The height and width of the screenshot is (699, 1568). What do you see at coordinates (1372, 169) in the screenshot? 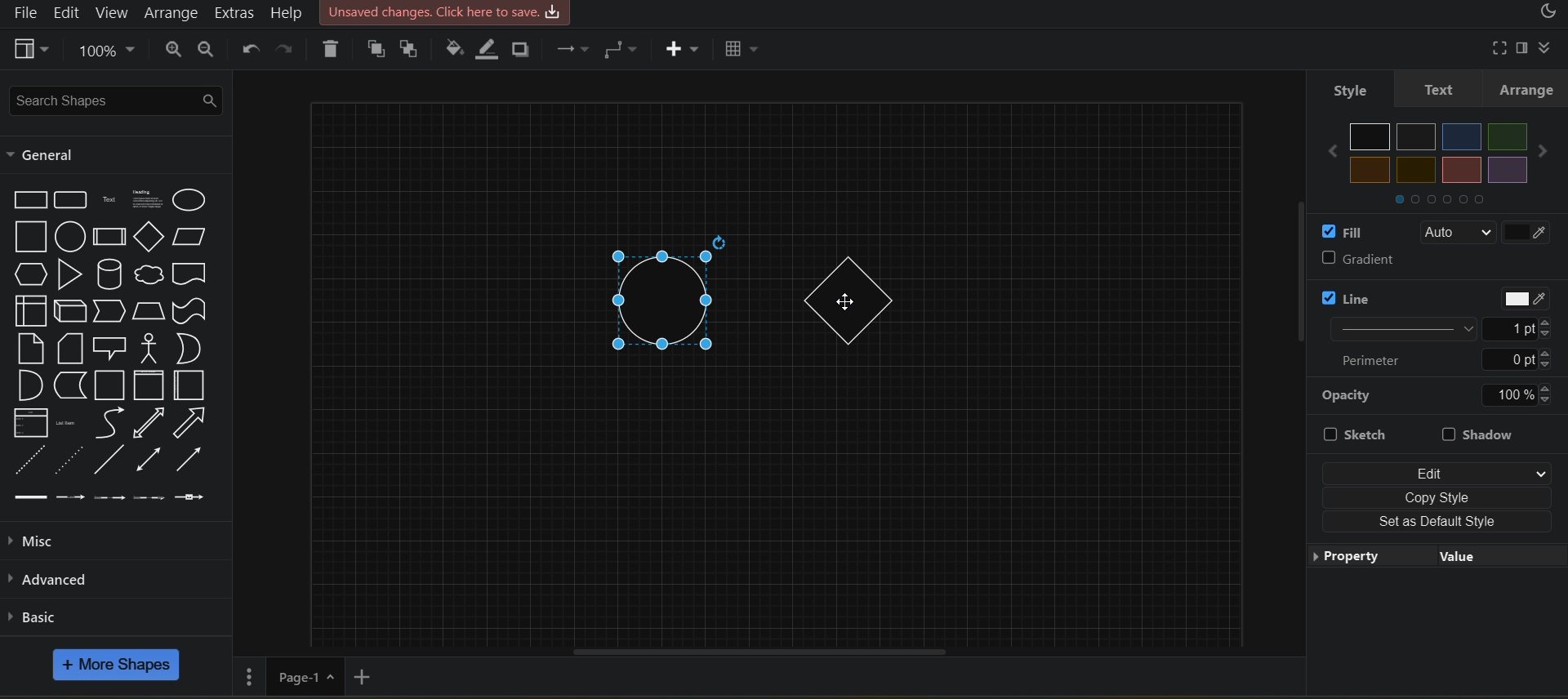
I see `` at bounding box center [1372, 169].